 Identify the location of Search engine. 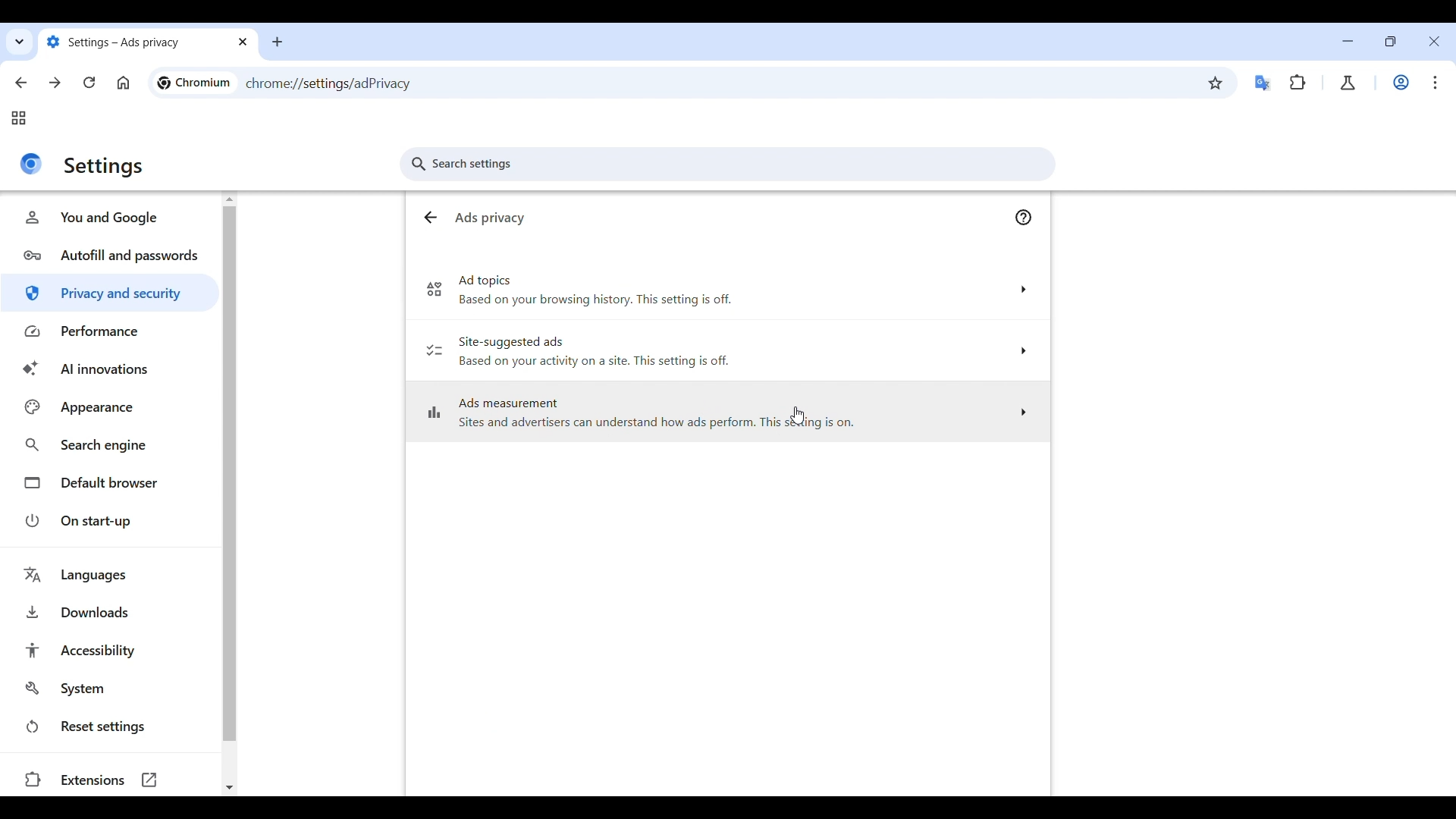
(109, 446).